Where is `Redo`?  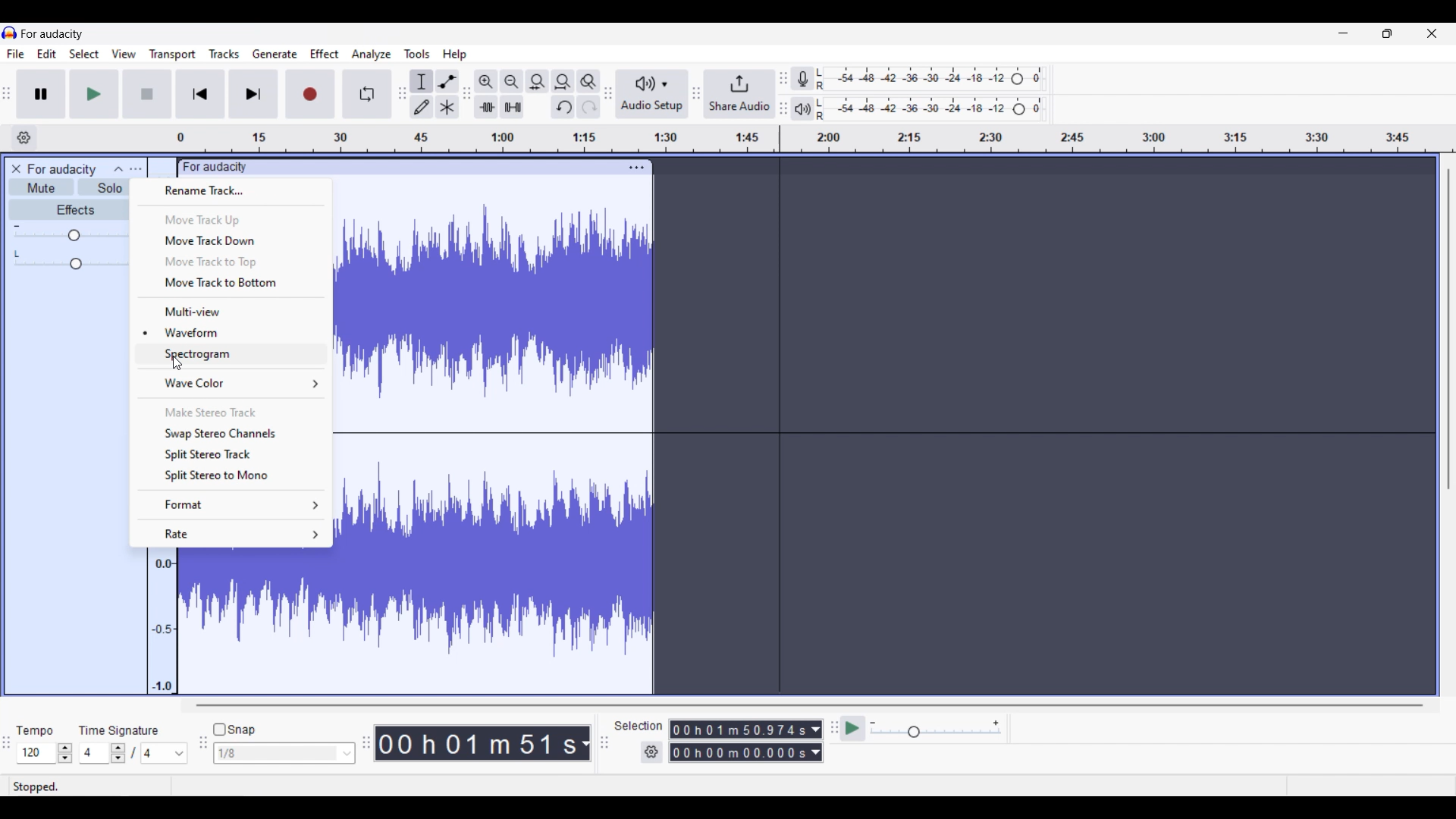 Redo is located at coordinates (591, 106).